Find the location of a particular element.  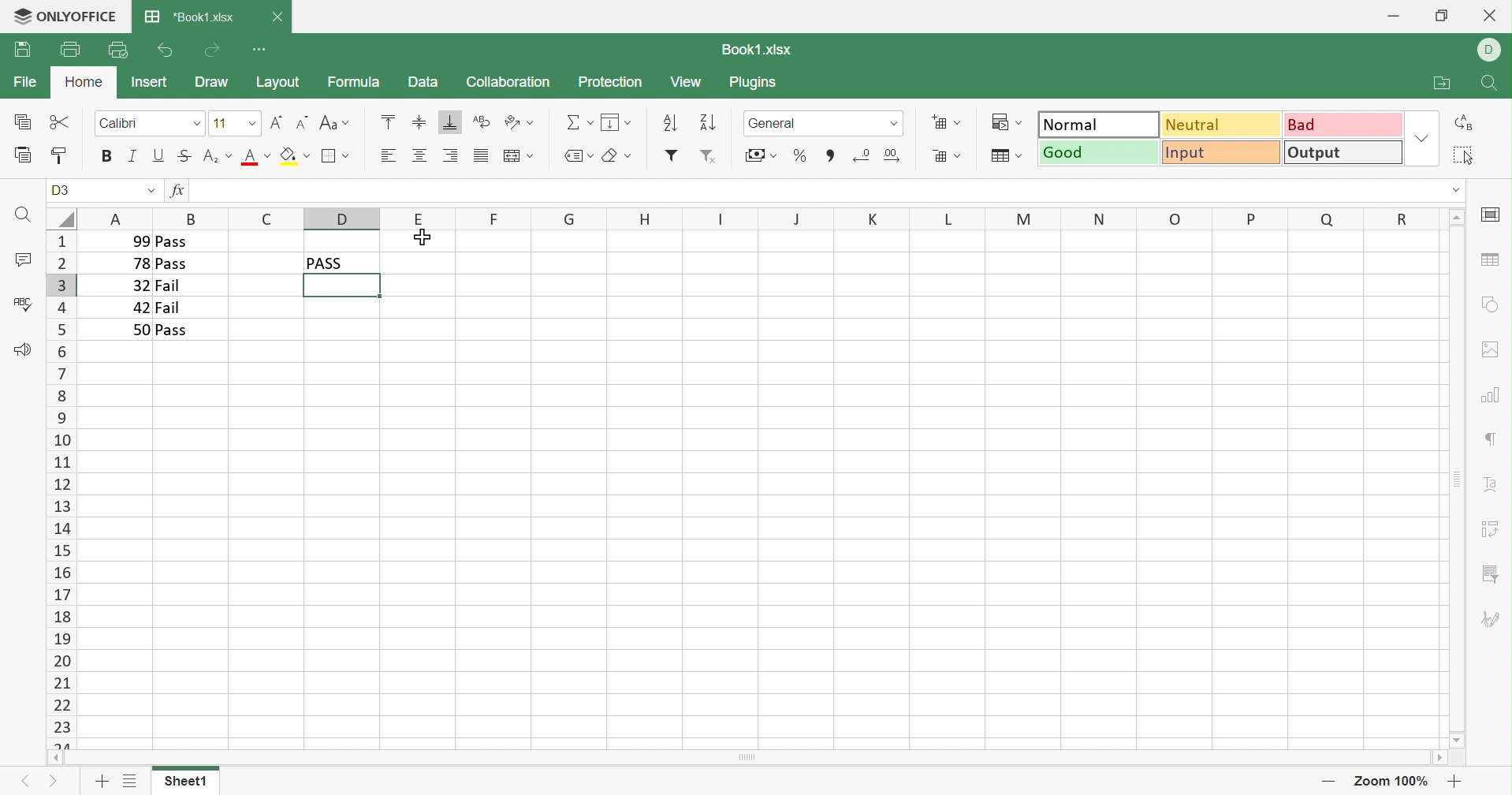

Protection is located at coordinates (609, 81).